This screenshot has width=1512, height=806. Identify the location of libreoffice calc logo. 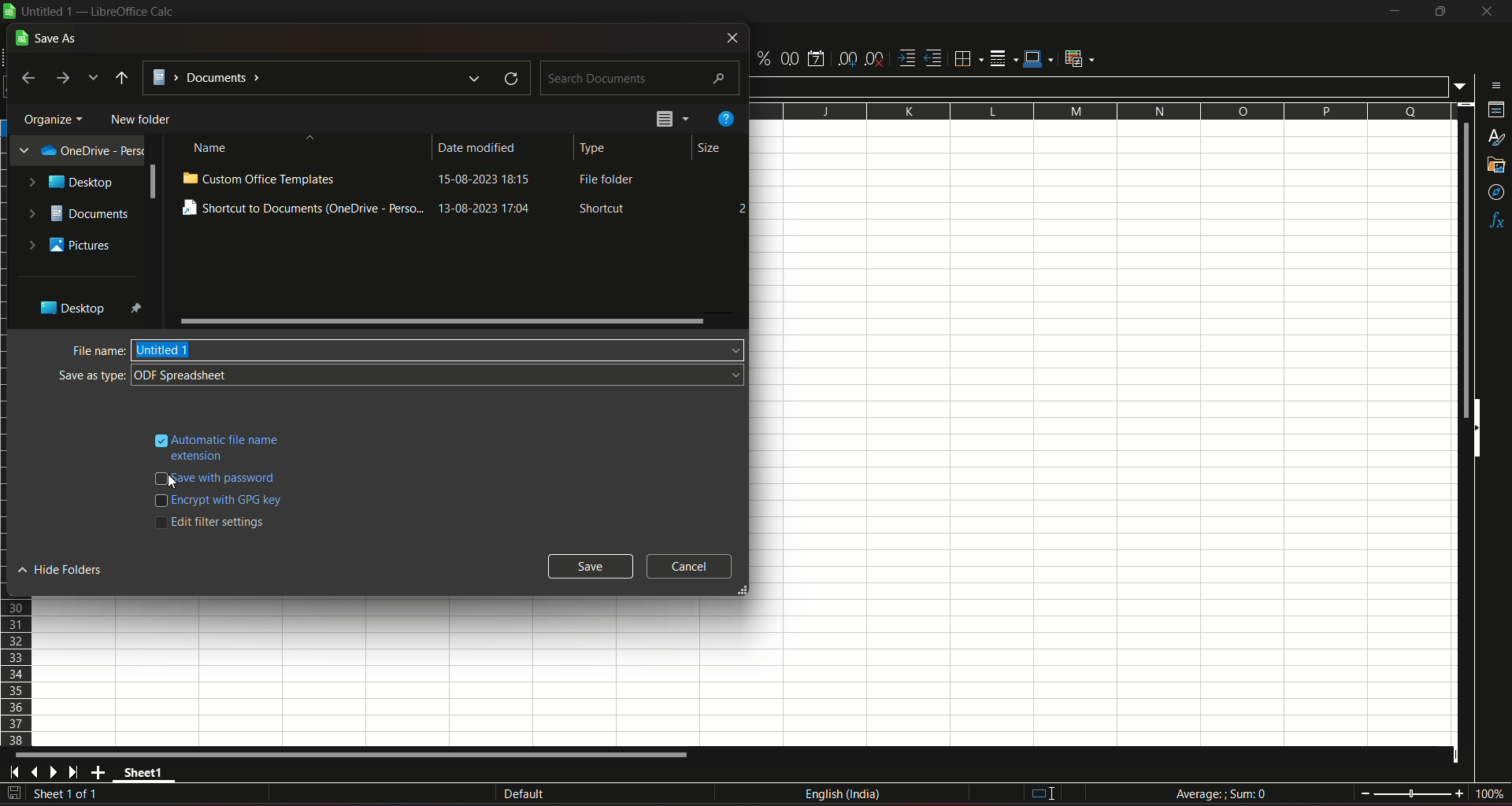
(9, 13).